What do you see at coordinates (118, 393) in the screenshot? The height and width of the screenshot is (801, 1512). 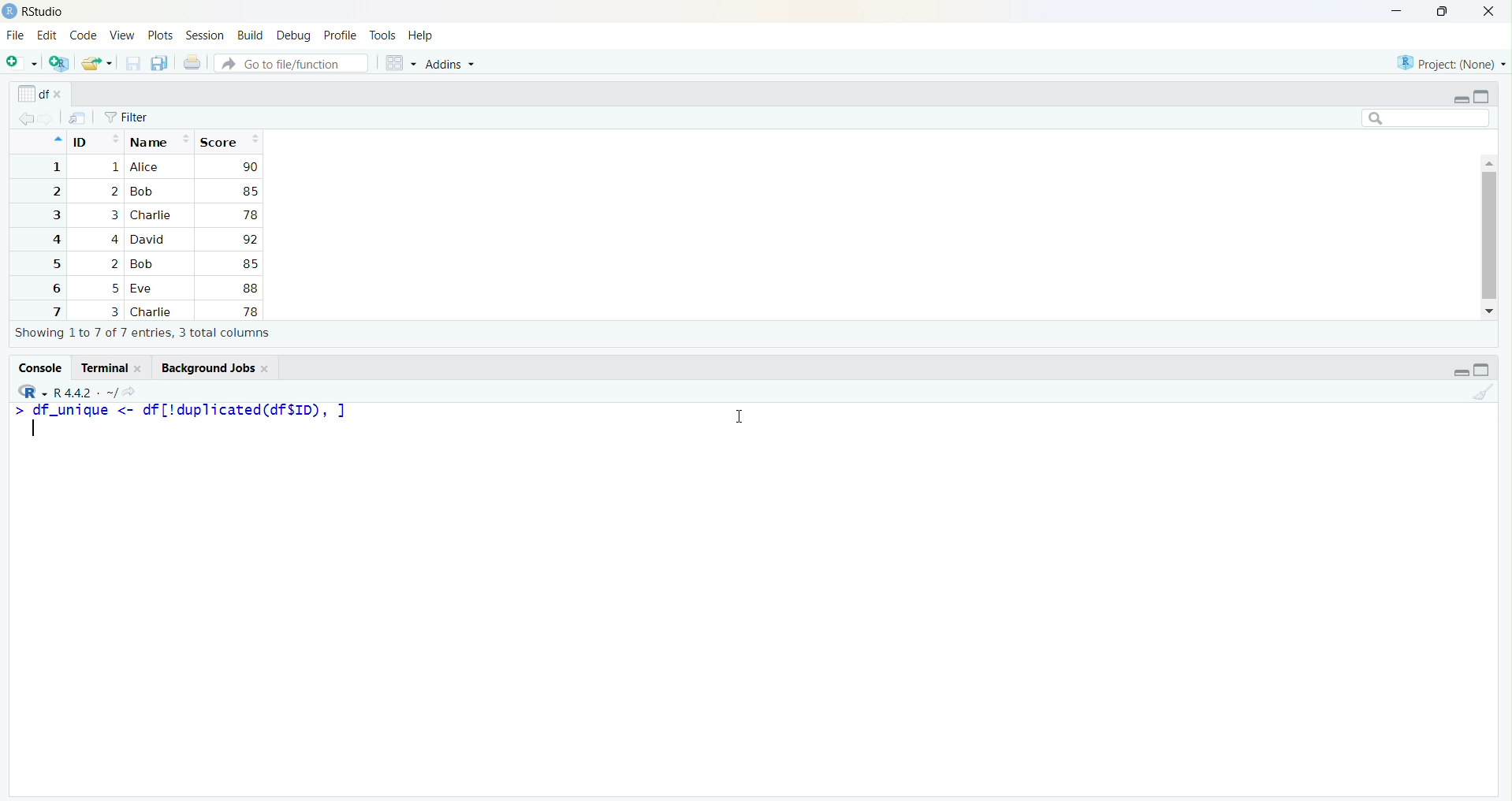 I see `. ~/>` at bounding box center [118, 393].